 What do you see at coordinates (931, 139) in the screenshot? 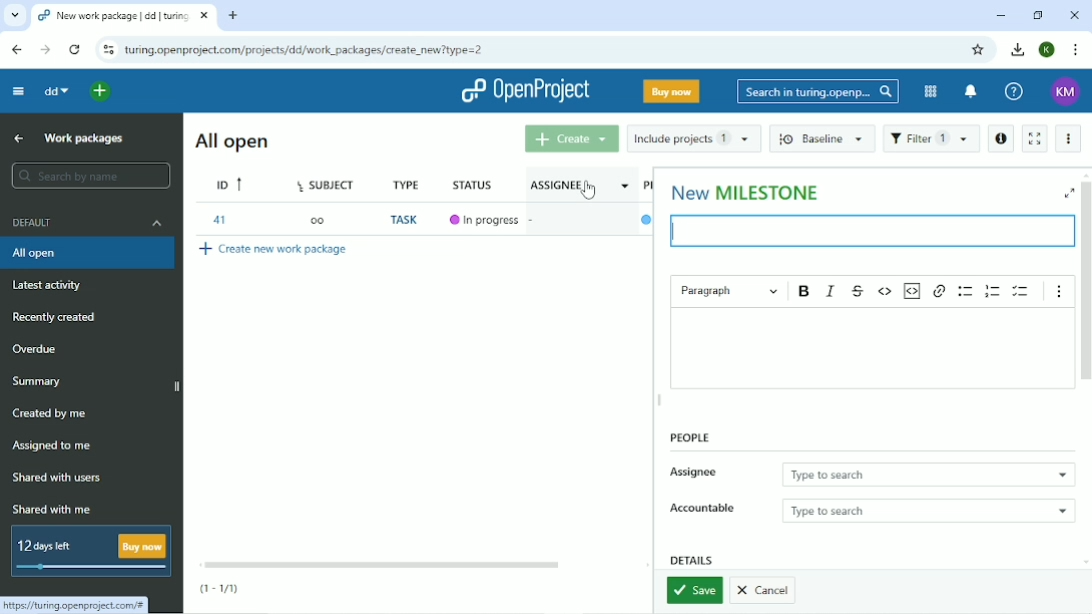
I see `Filter 1` at bounding box center [931, 139].